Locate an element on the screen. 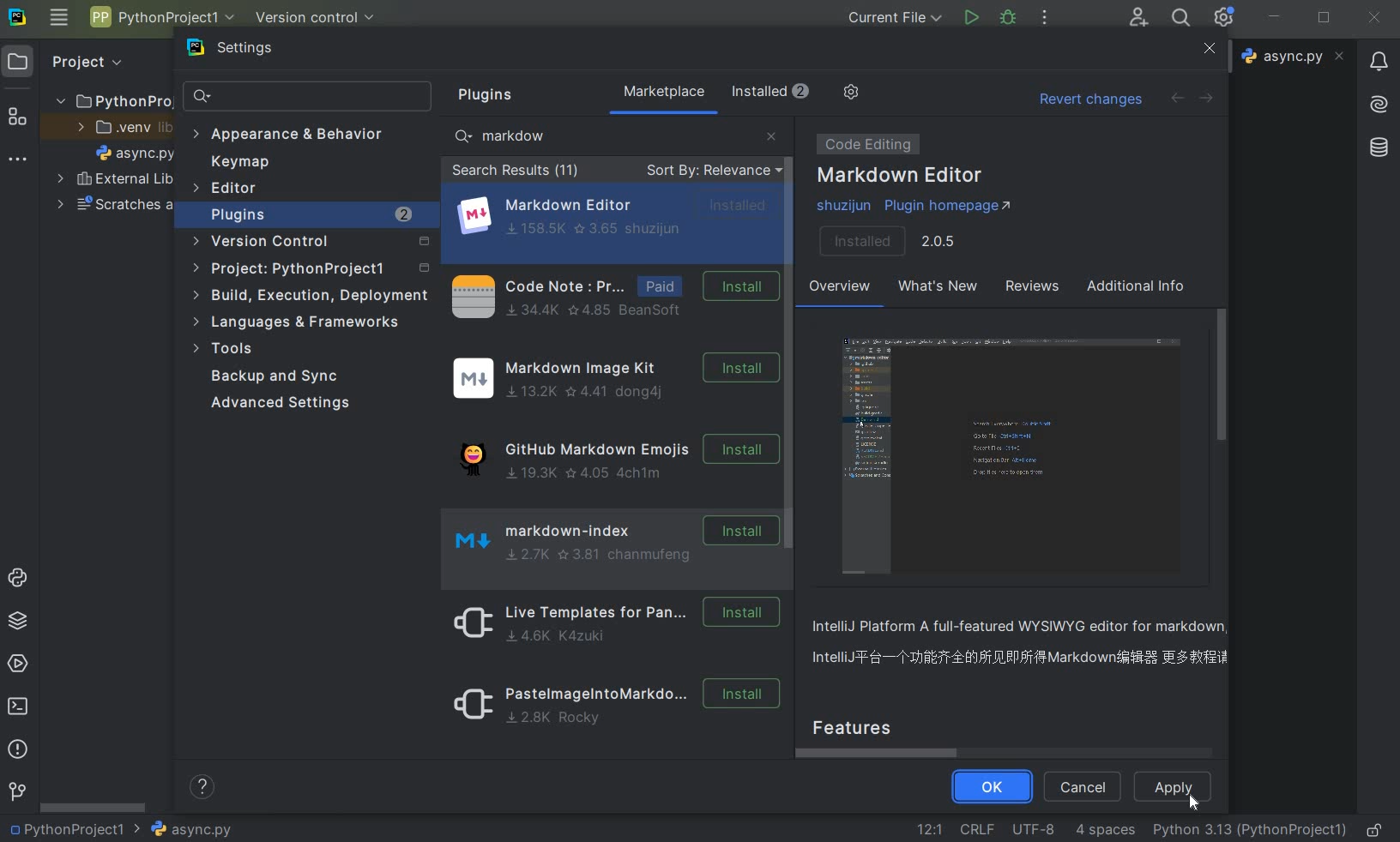  plugins is located at coordinates (492, 95).